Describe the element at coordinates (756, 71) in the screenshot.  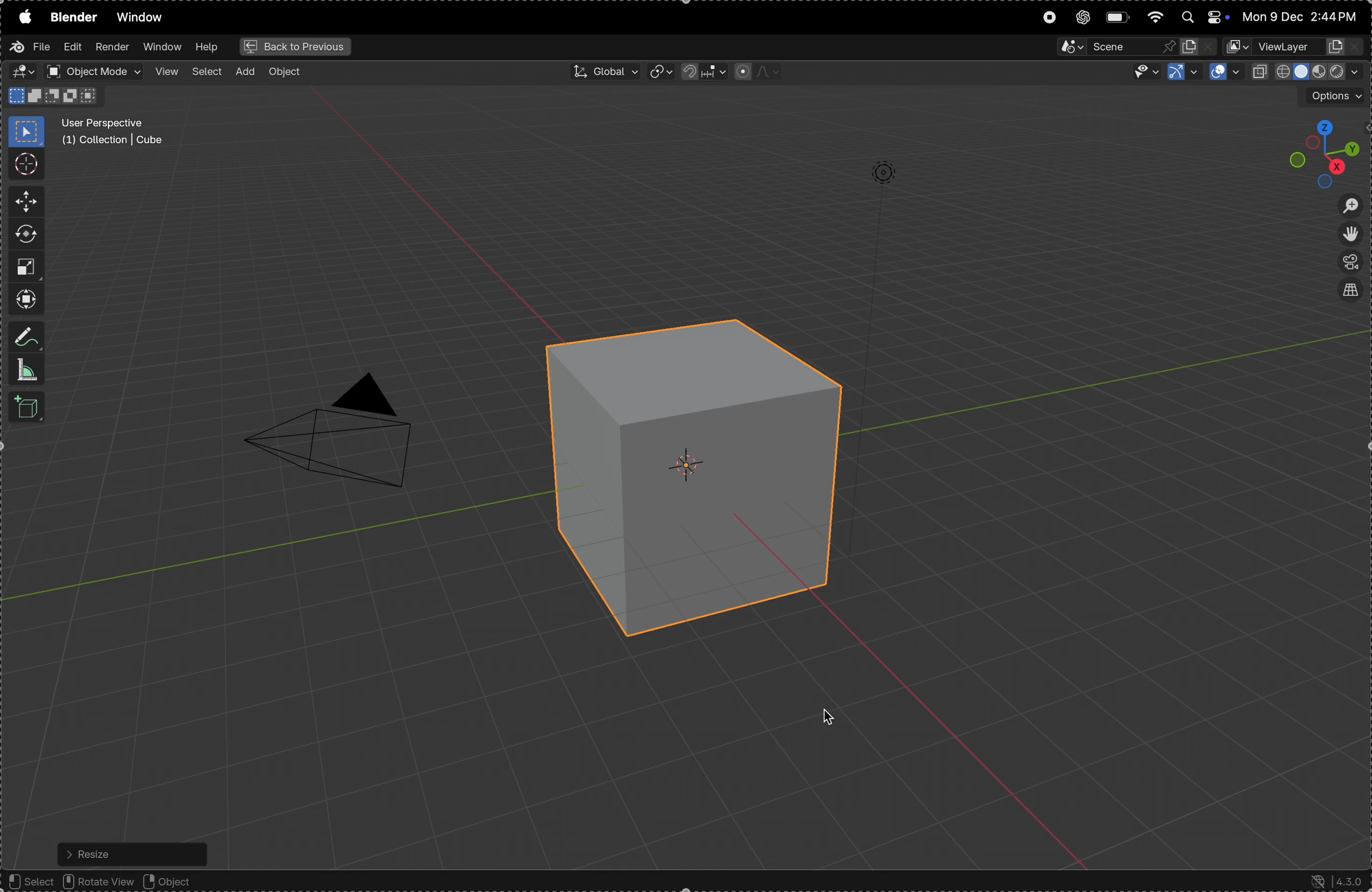
I see `proportional fall off` at that location.